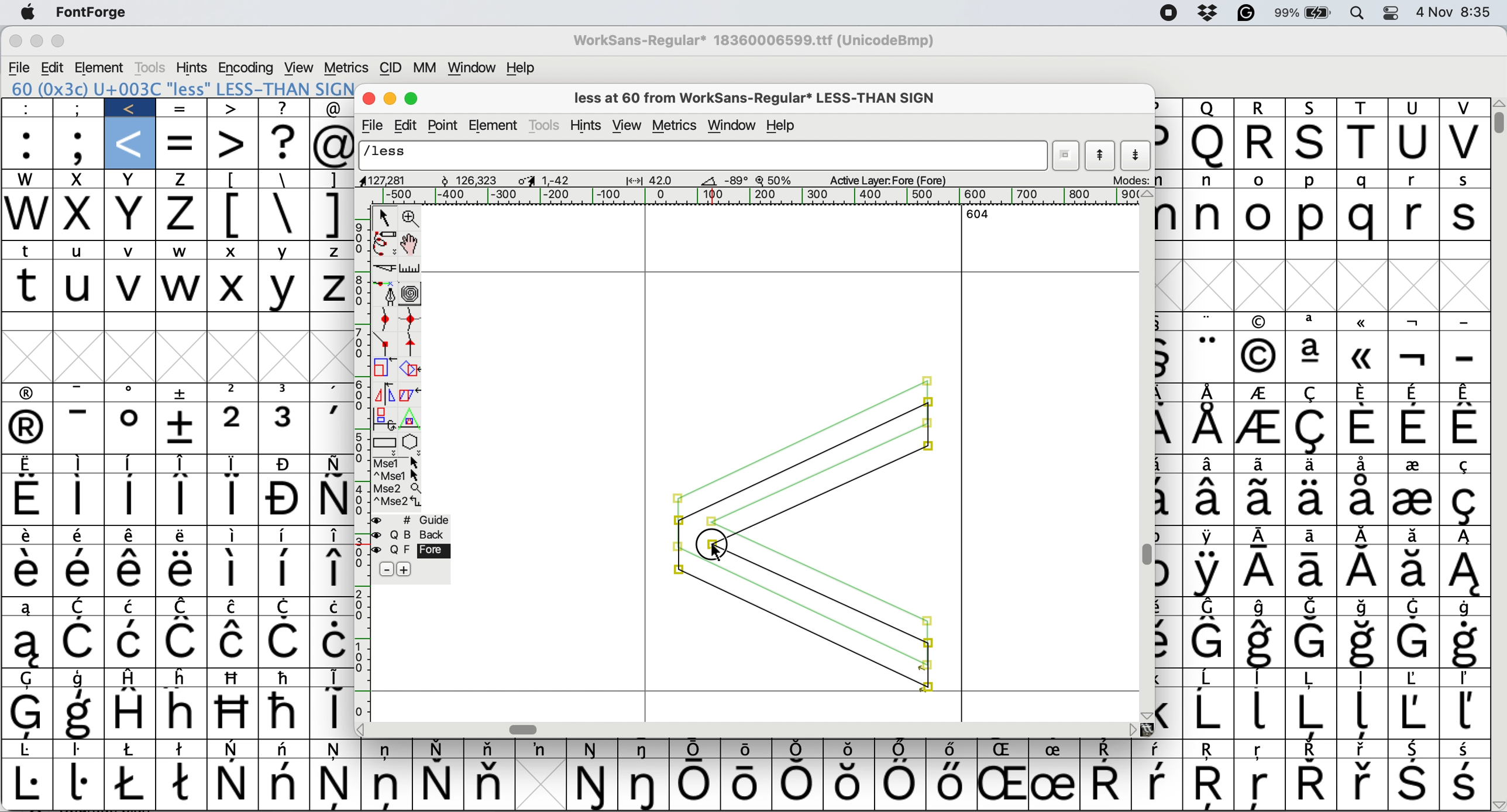  What do you see at coordinates (1167, 574) in the screenshot?
I see `symbol` at bounding box center [1167, 574].